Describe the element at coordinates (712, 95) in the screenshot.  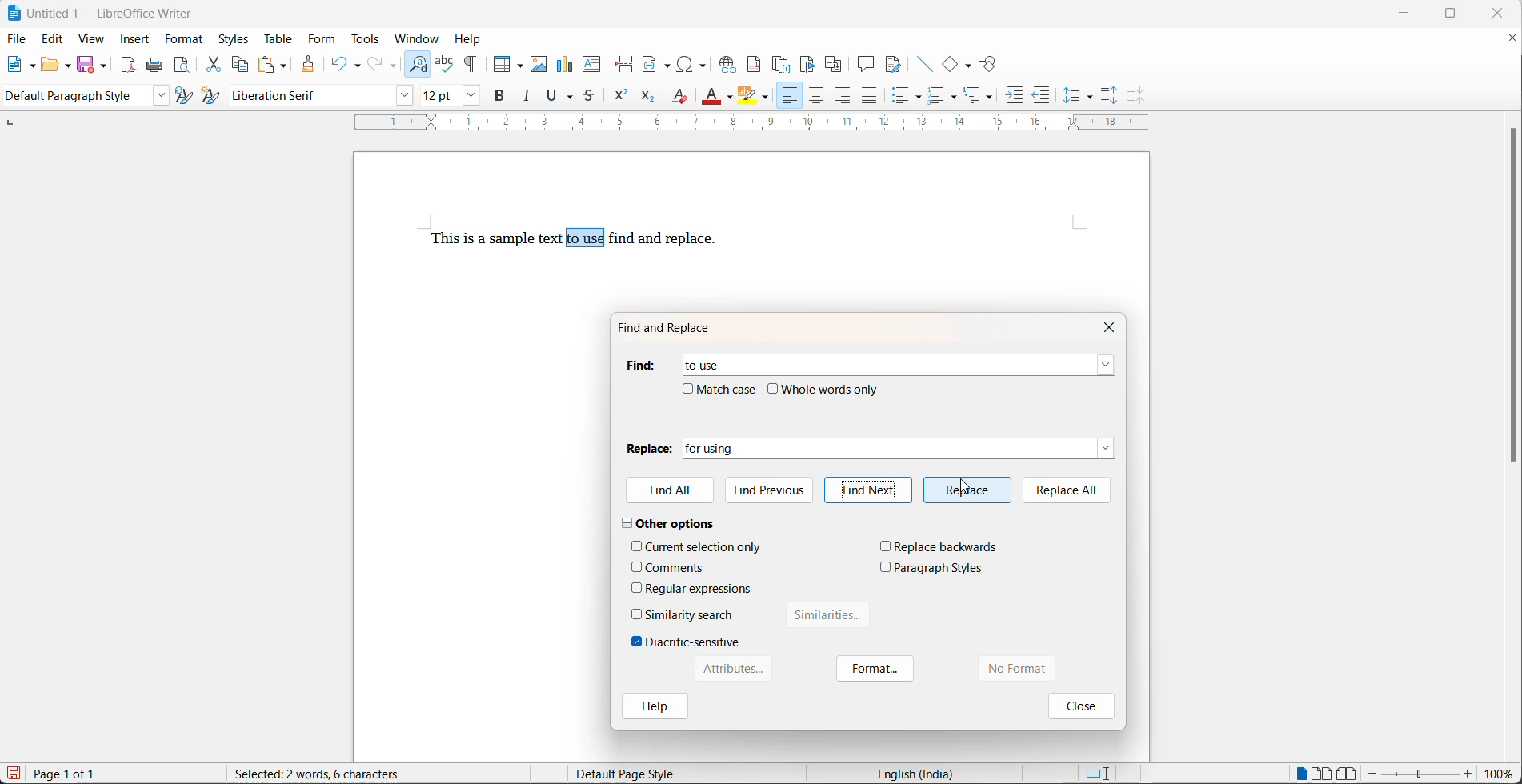
I see `font color` at that location.